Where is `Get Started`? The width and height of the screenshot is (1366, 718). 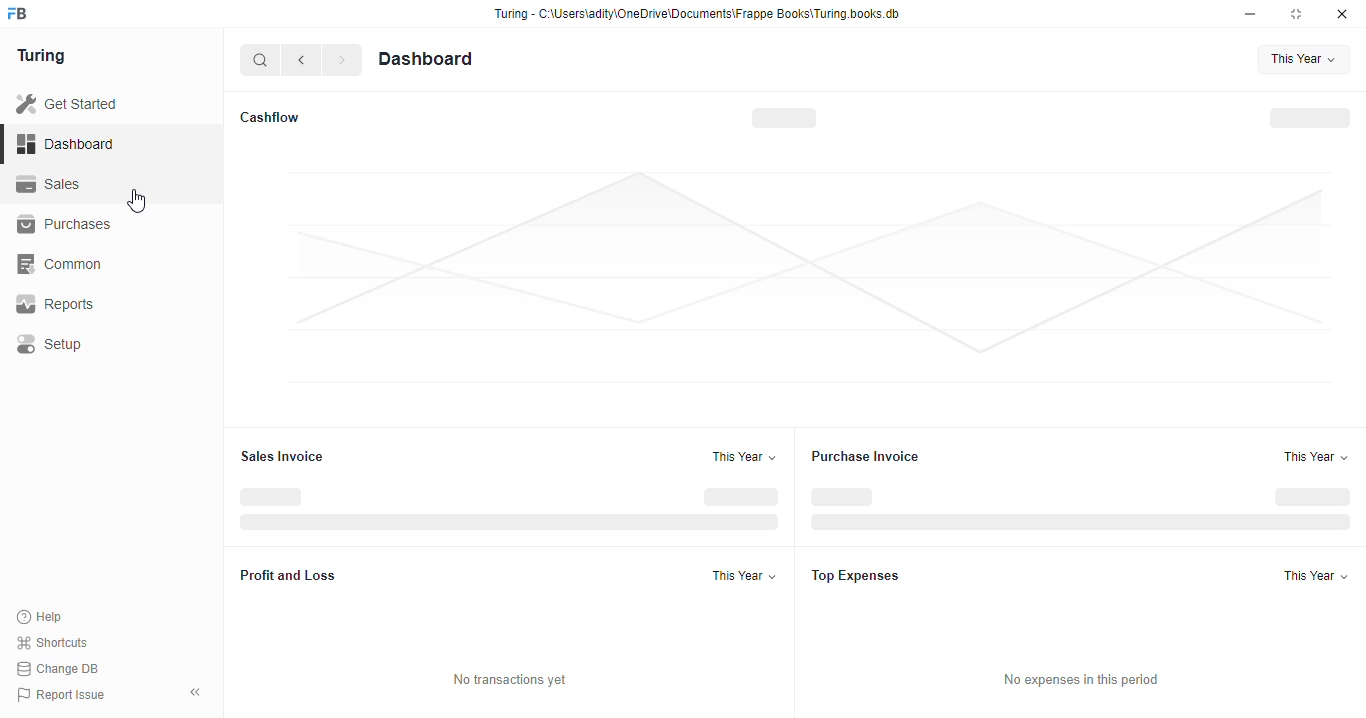 Get Started is located at coordinates (93, 105).